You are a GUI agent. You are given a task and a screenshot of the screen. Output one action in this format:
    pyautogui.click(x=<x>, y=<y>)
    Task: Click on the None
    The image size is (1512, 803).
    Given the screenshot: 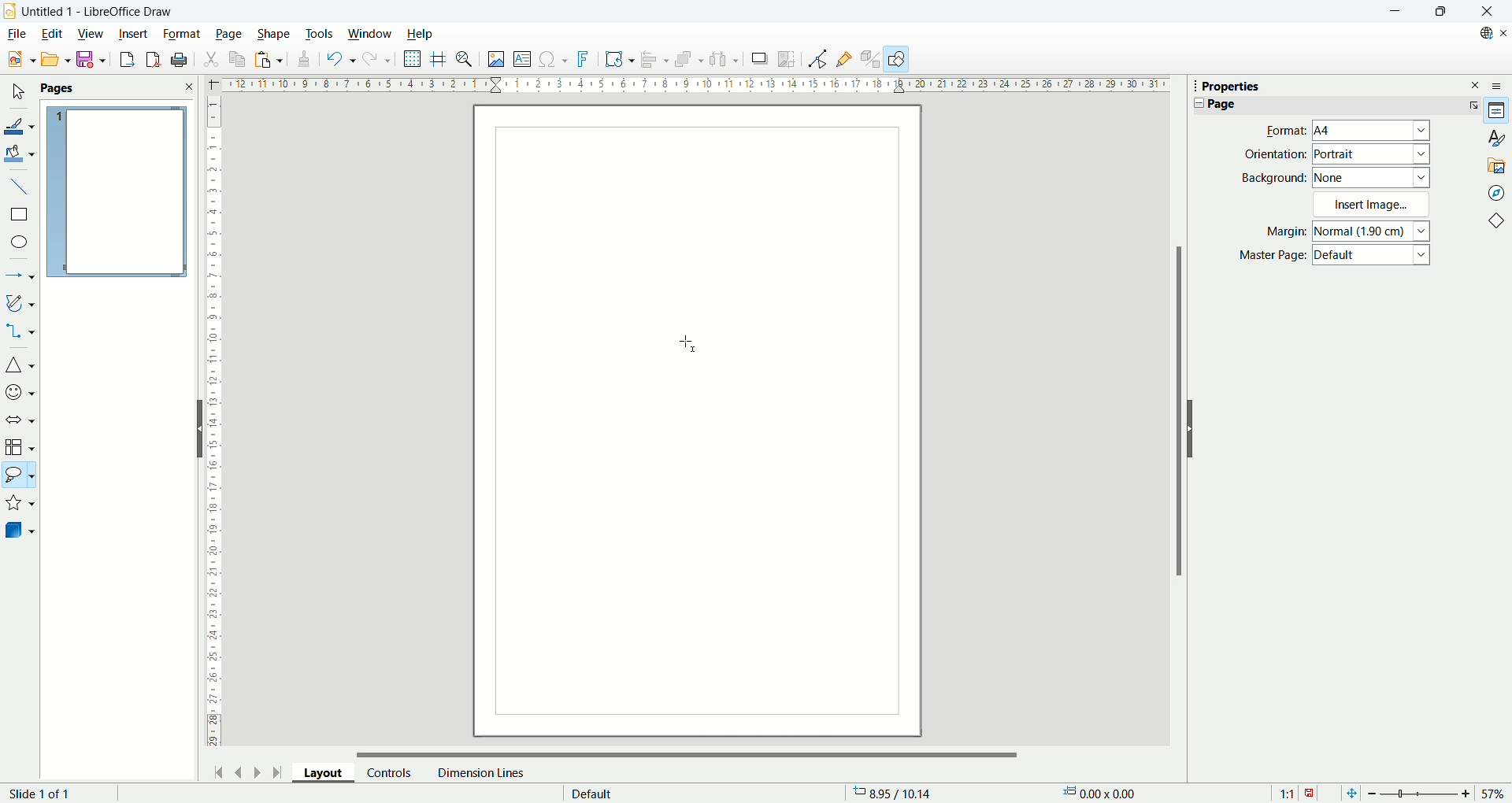 What is the action you would take?
    pyautogui.click(x=1372, y=176)
    